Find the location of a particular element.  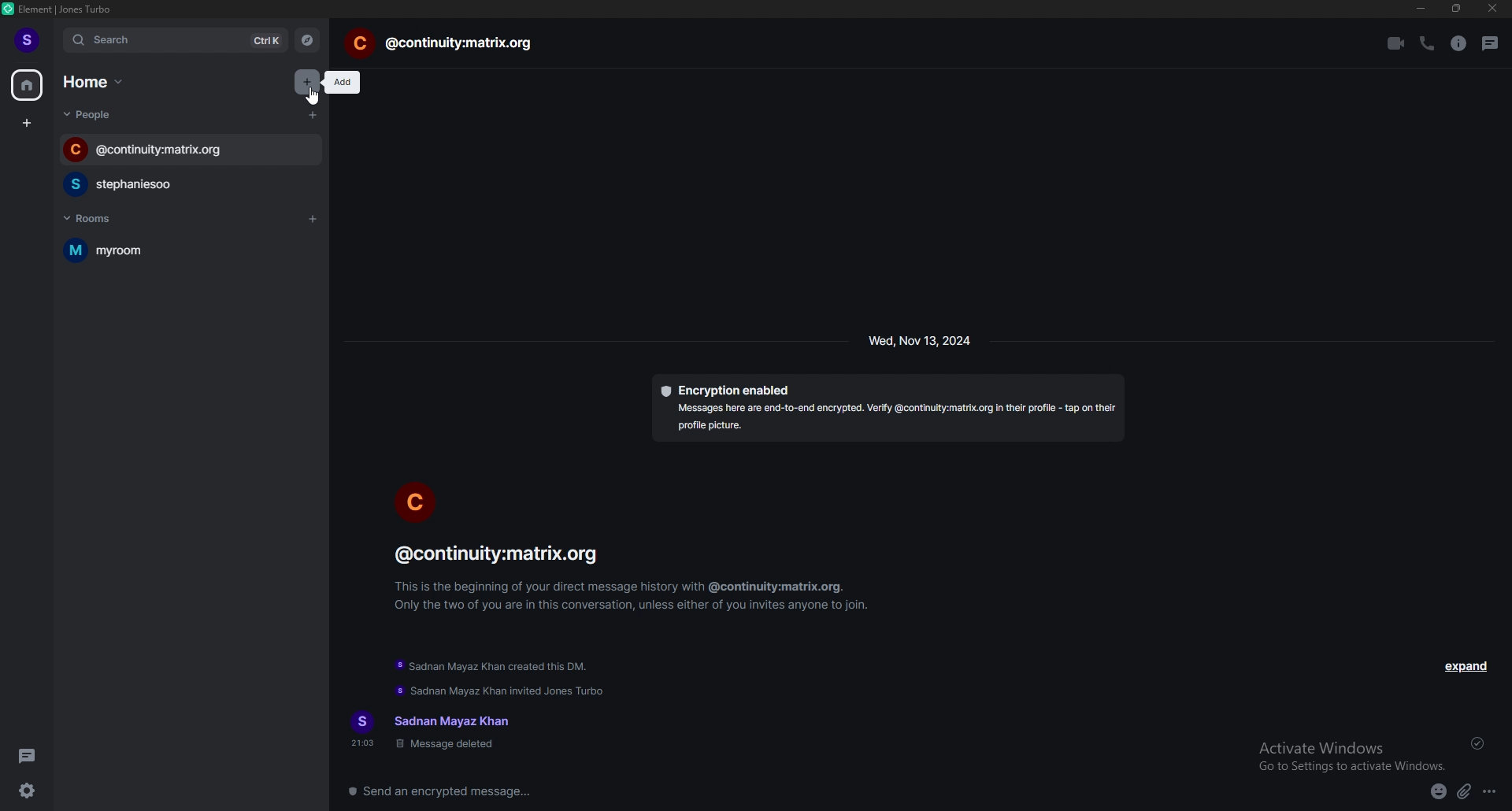

voice call is located at coordinates (1425, 43).